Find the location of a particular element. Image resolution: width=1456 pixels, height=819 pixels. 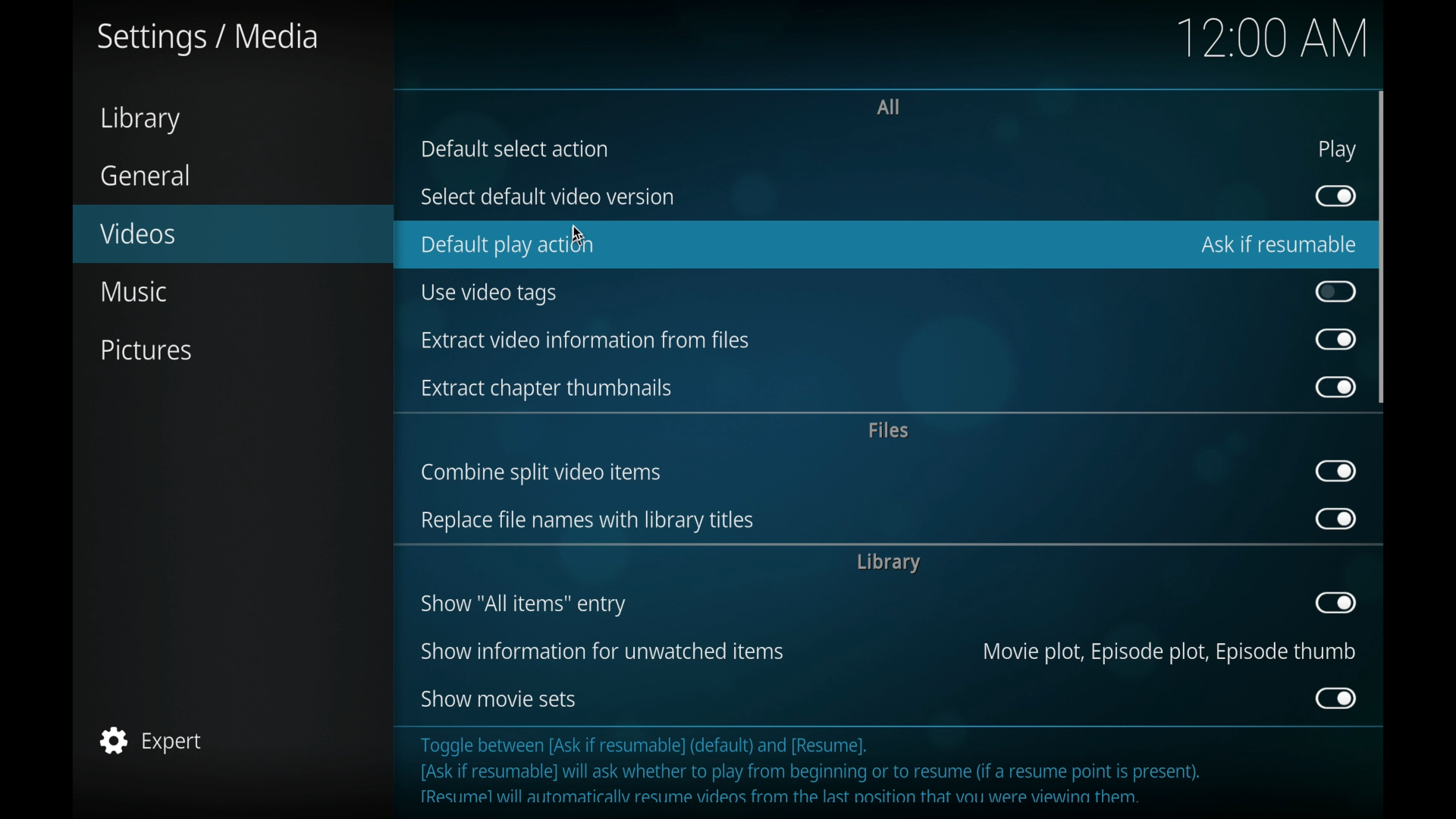

play is located at coordinates (1338, 150).